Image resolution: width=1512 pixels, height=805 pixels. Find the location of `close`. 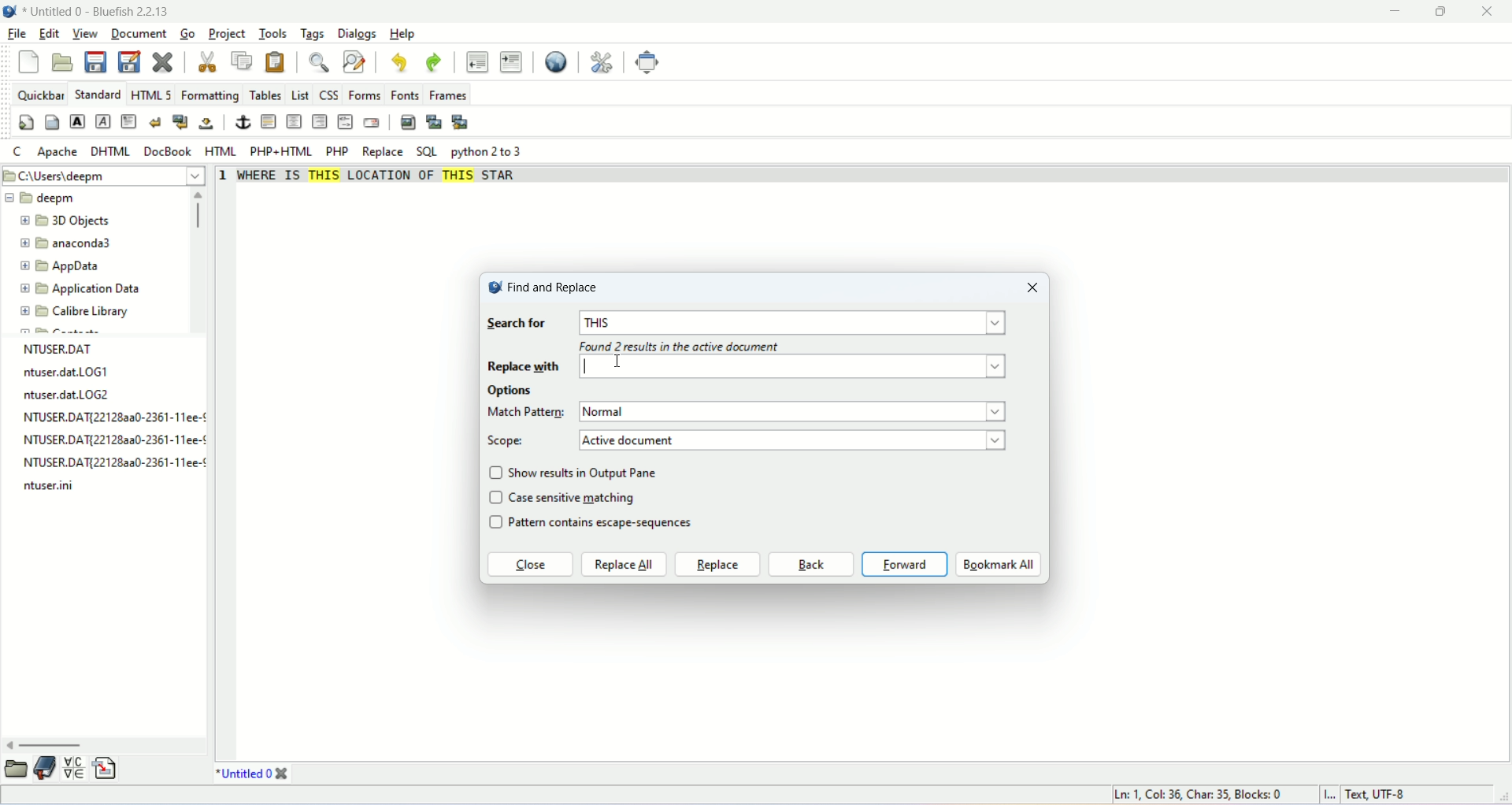

close is located at coordinates (1493, 12).